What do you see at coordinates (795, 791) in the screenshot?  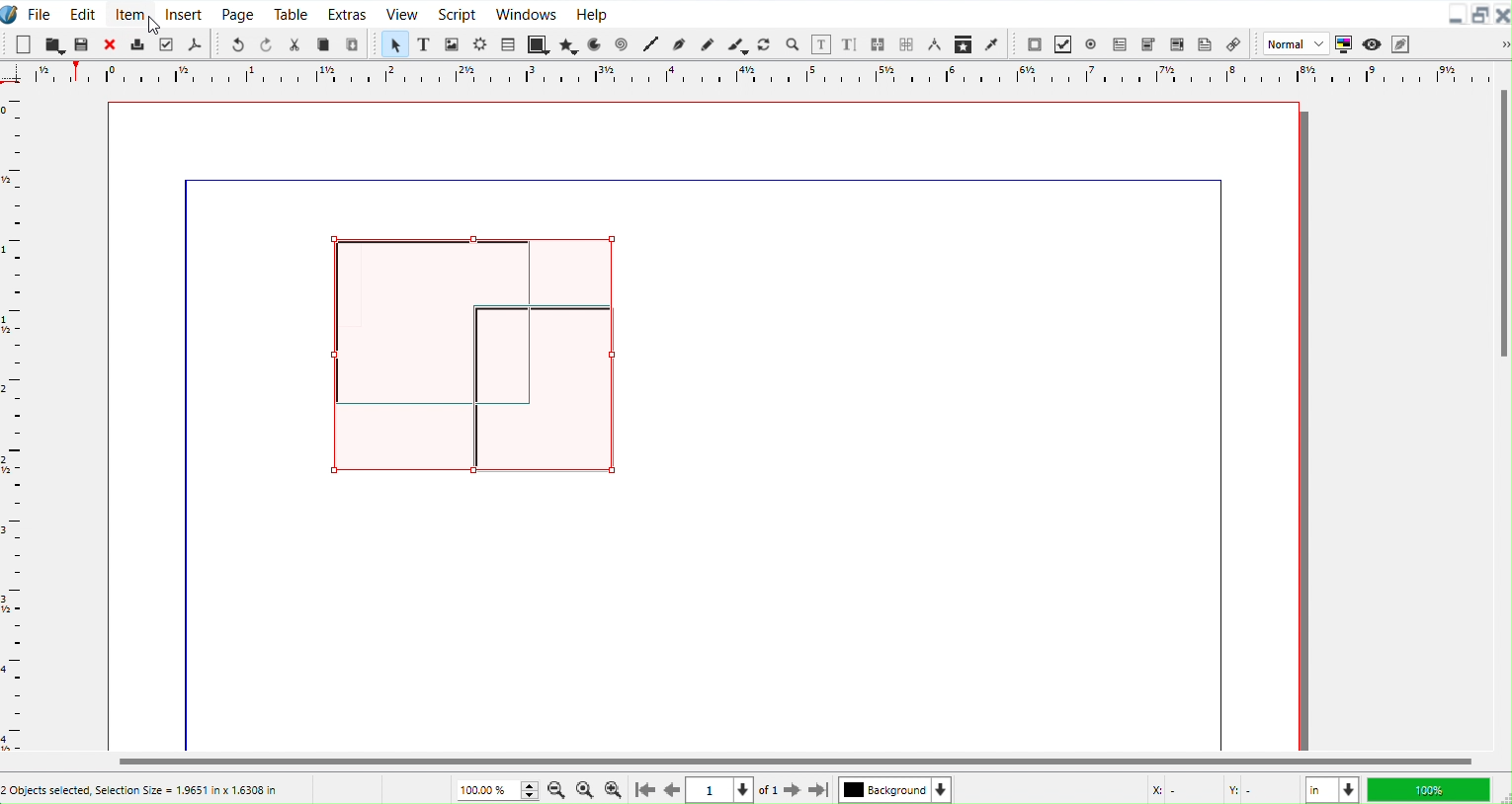 I see `Go to next page` at bounding box center [795, 791].